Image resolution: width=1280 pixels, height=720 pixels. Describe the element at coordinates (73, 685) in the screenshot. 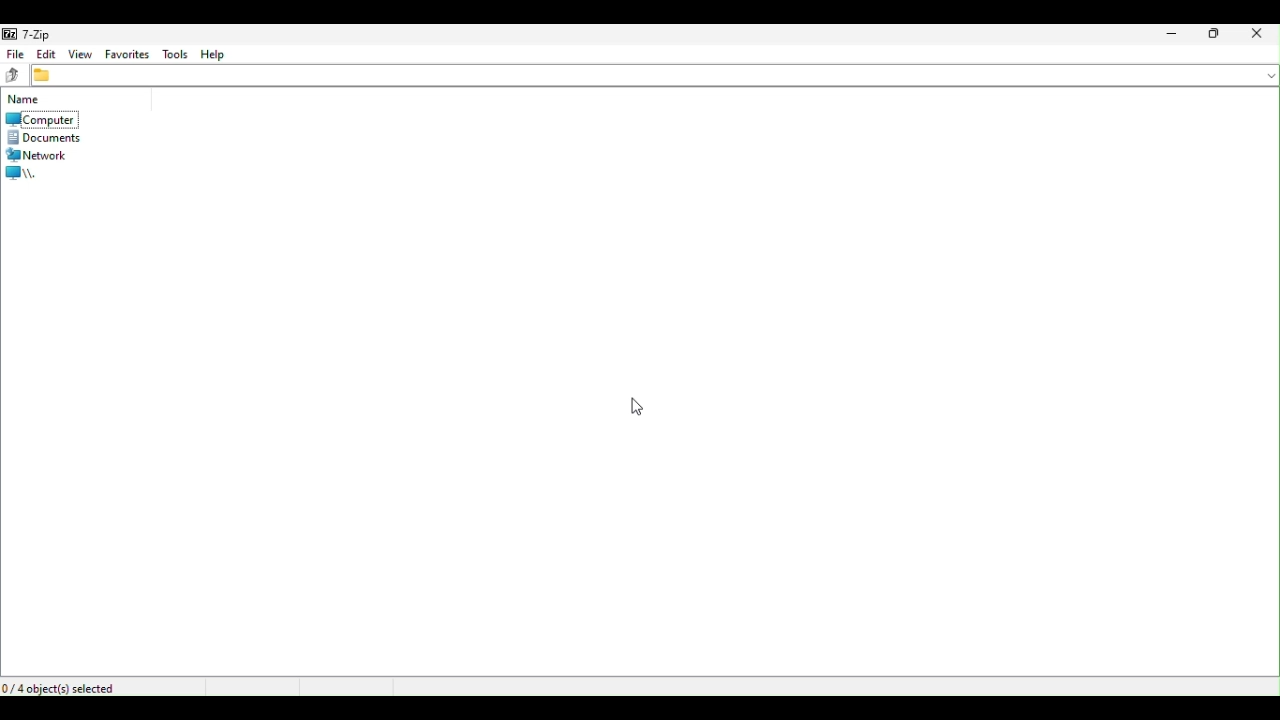

I see `4 object selected` at that location.